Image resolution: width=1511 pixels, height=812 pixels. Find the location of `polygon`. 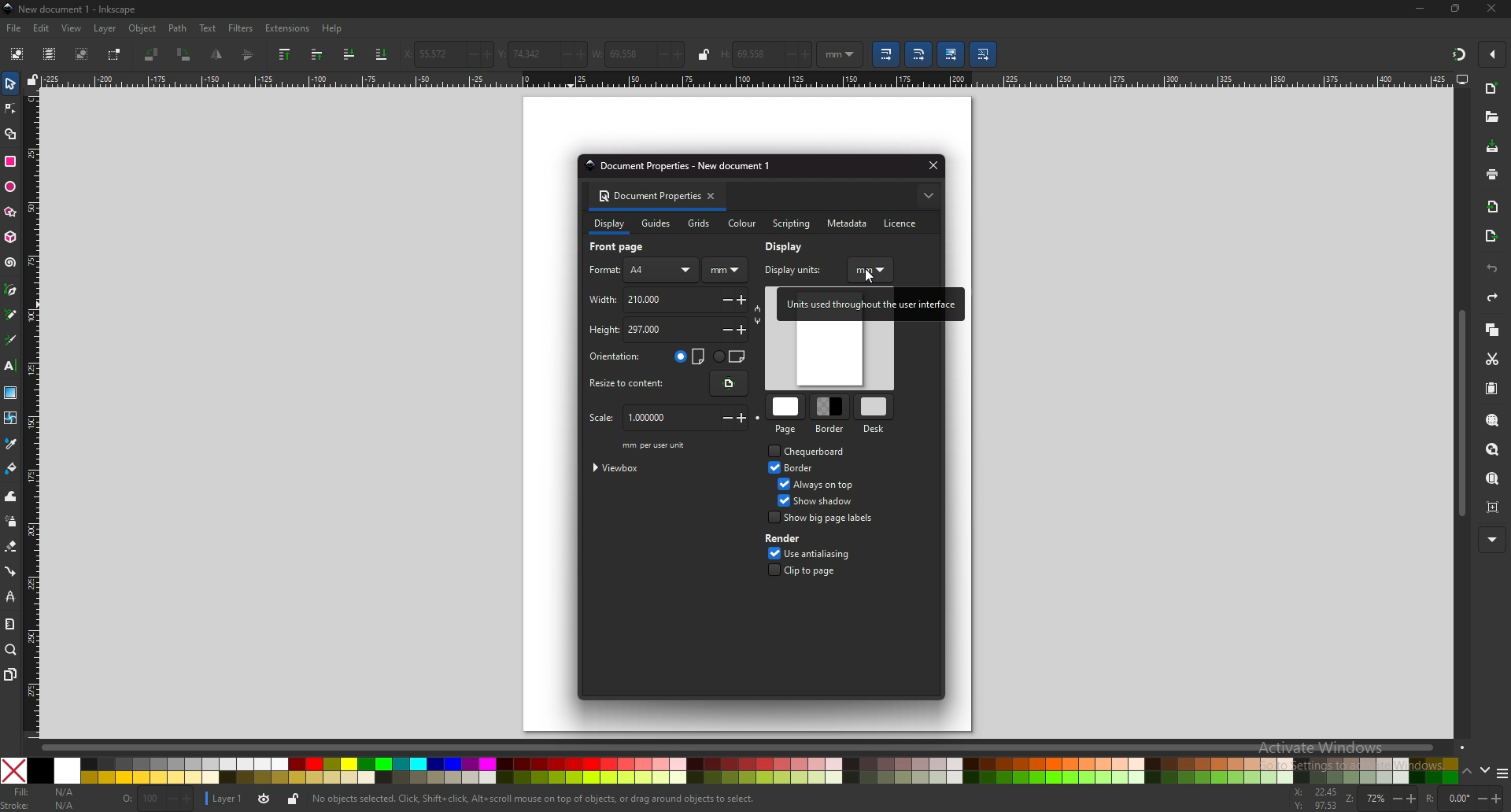

polygon is located at coordinates (10, 212).